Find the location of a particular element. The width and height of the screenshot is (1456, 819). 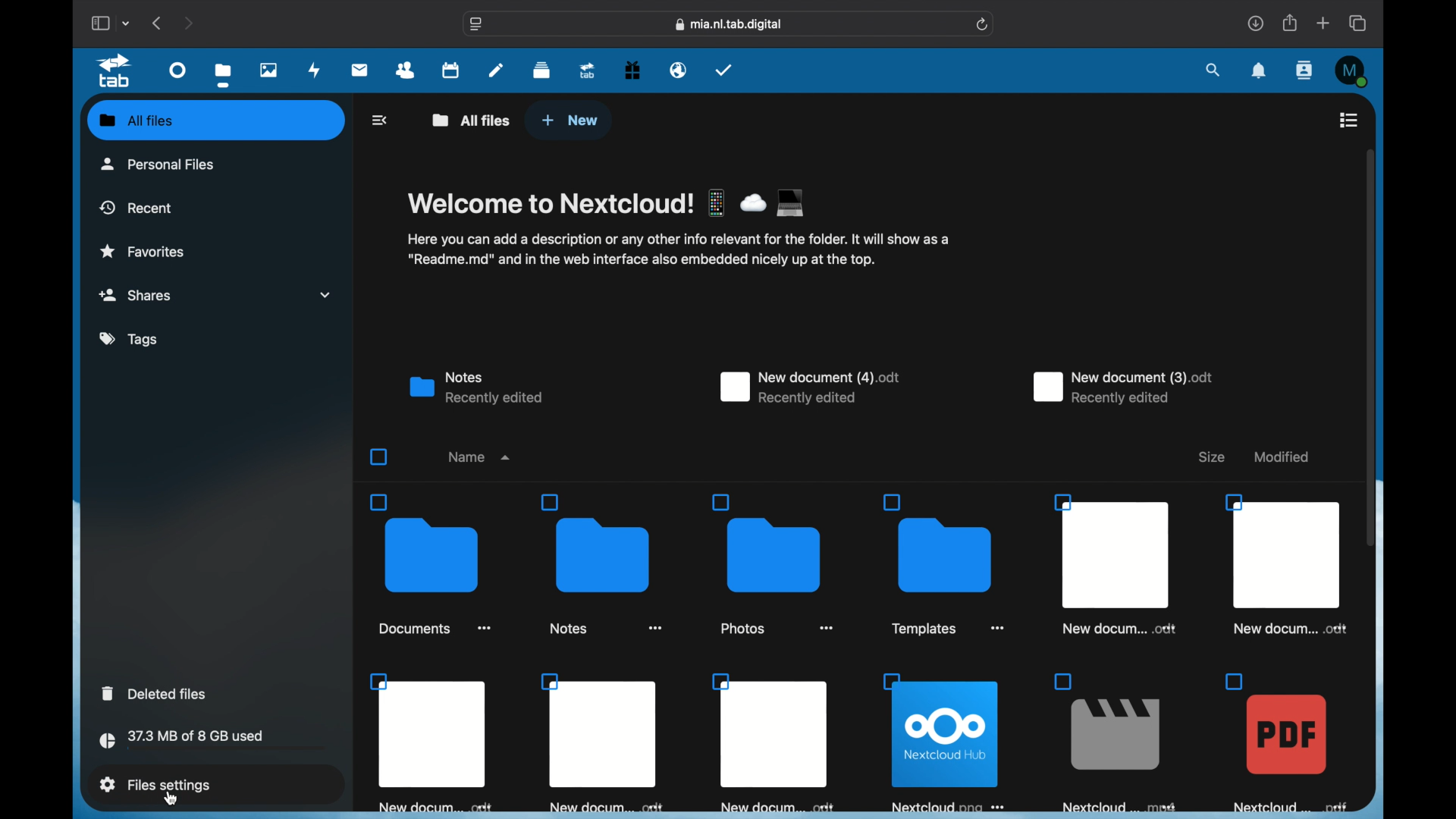

free trial is located at coordinates (632, 71).